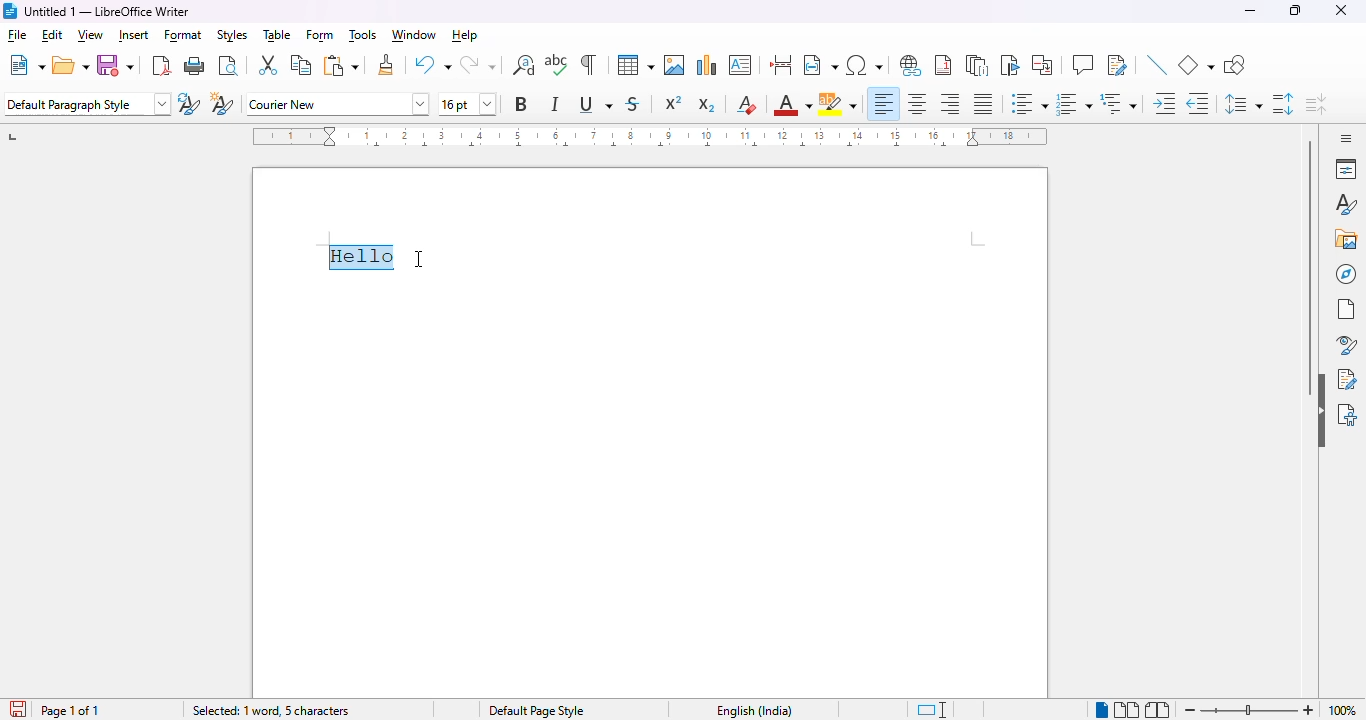 Image resolution: width=1366 pixels, height=720 pixels. I want to click on standard language, so click(934, 710).